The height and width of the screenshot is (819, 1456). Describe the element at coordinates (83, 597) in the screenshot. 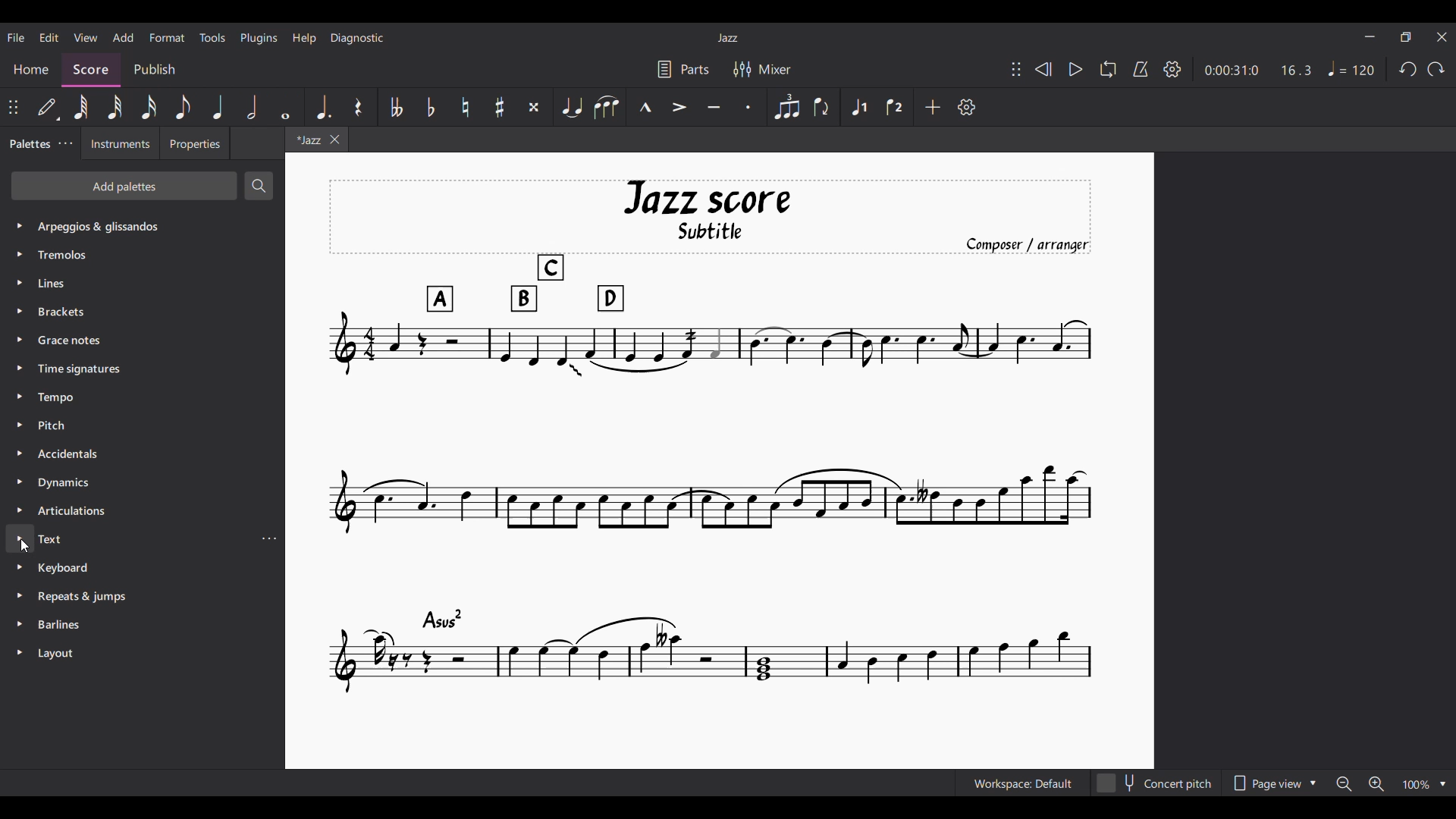

I see `` at that location.